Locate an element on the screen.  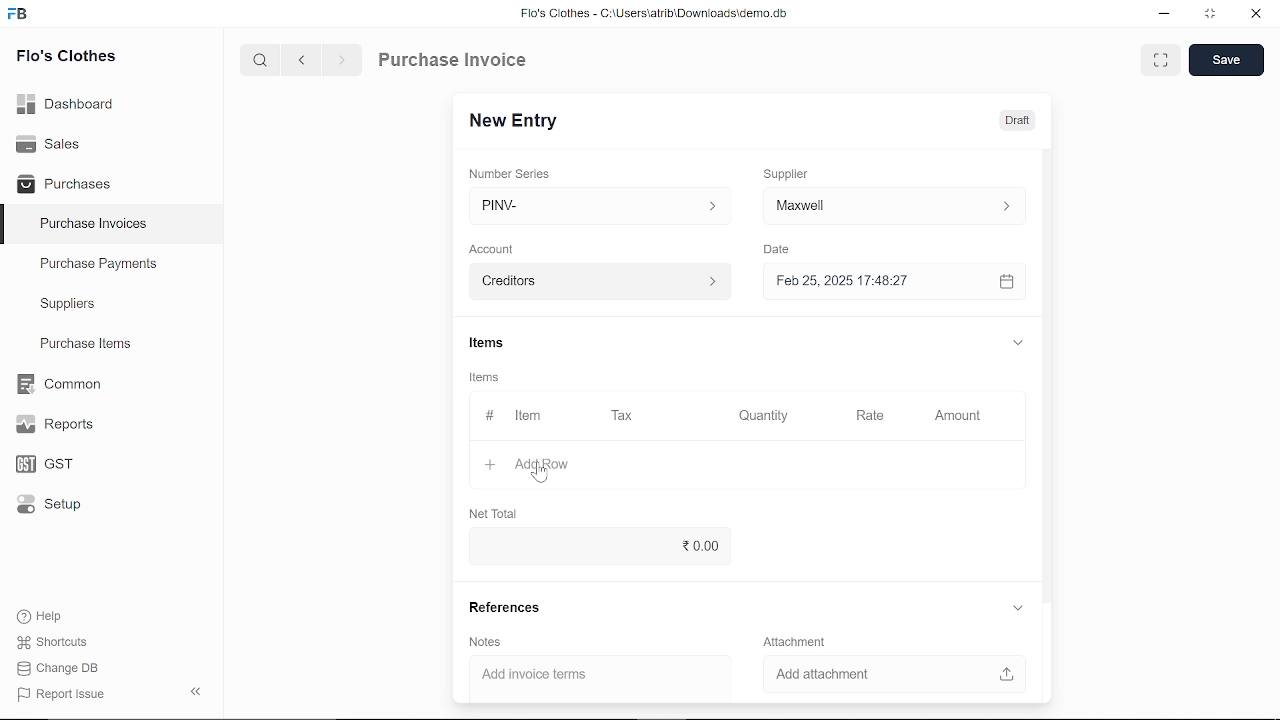
hide is located at coordinates (192, 693).